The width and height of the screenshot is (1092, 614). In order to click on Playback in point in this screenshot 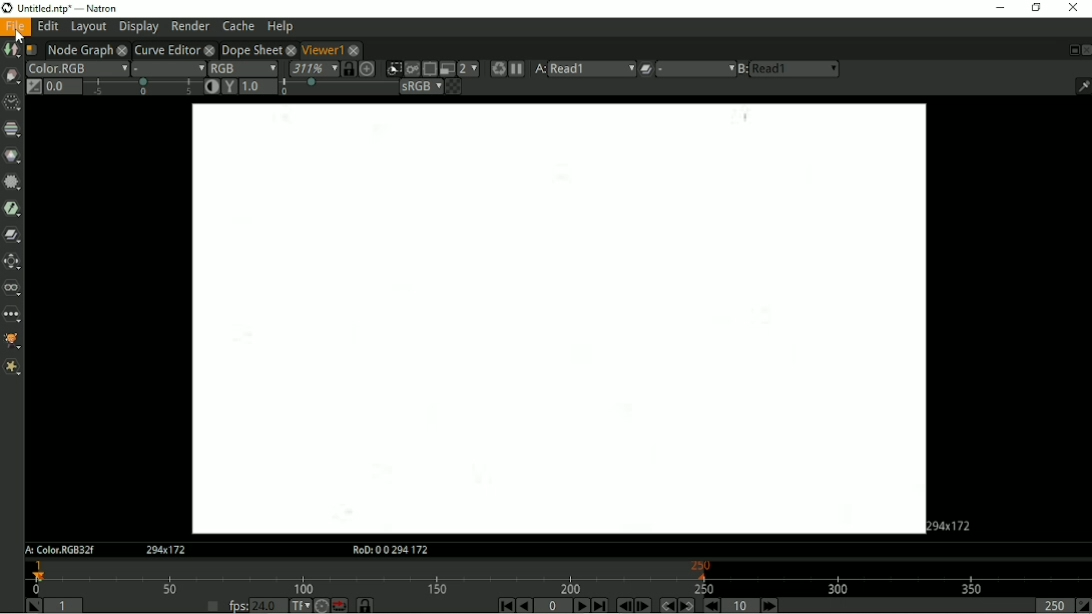, I will do `click(63, 606)`.